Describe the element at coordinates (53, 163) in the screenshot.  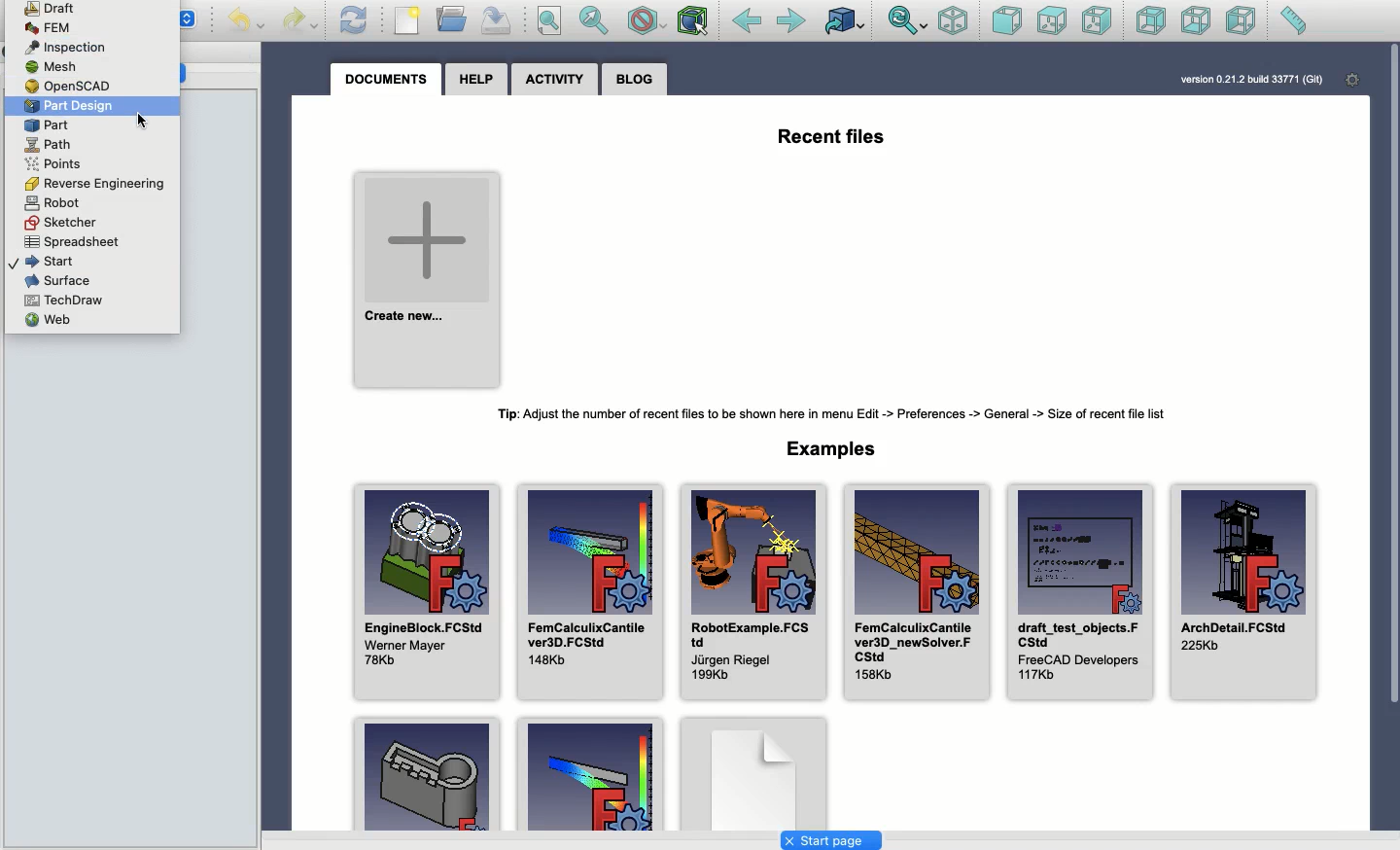
I see `Points` at that location.